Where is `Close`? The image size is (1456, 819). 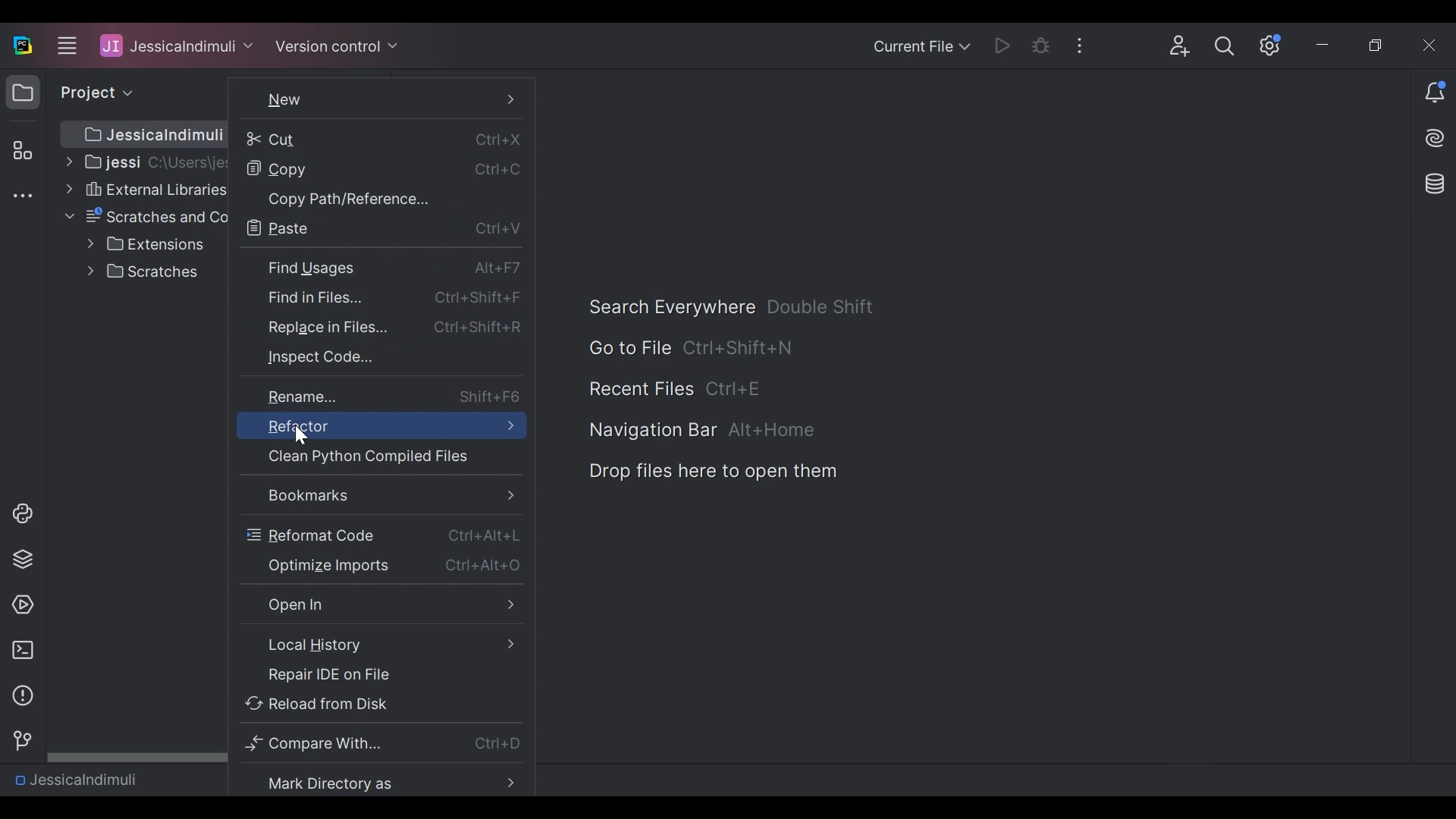
Close is located at coordinates (1431, 45).